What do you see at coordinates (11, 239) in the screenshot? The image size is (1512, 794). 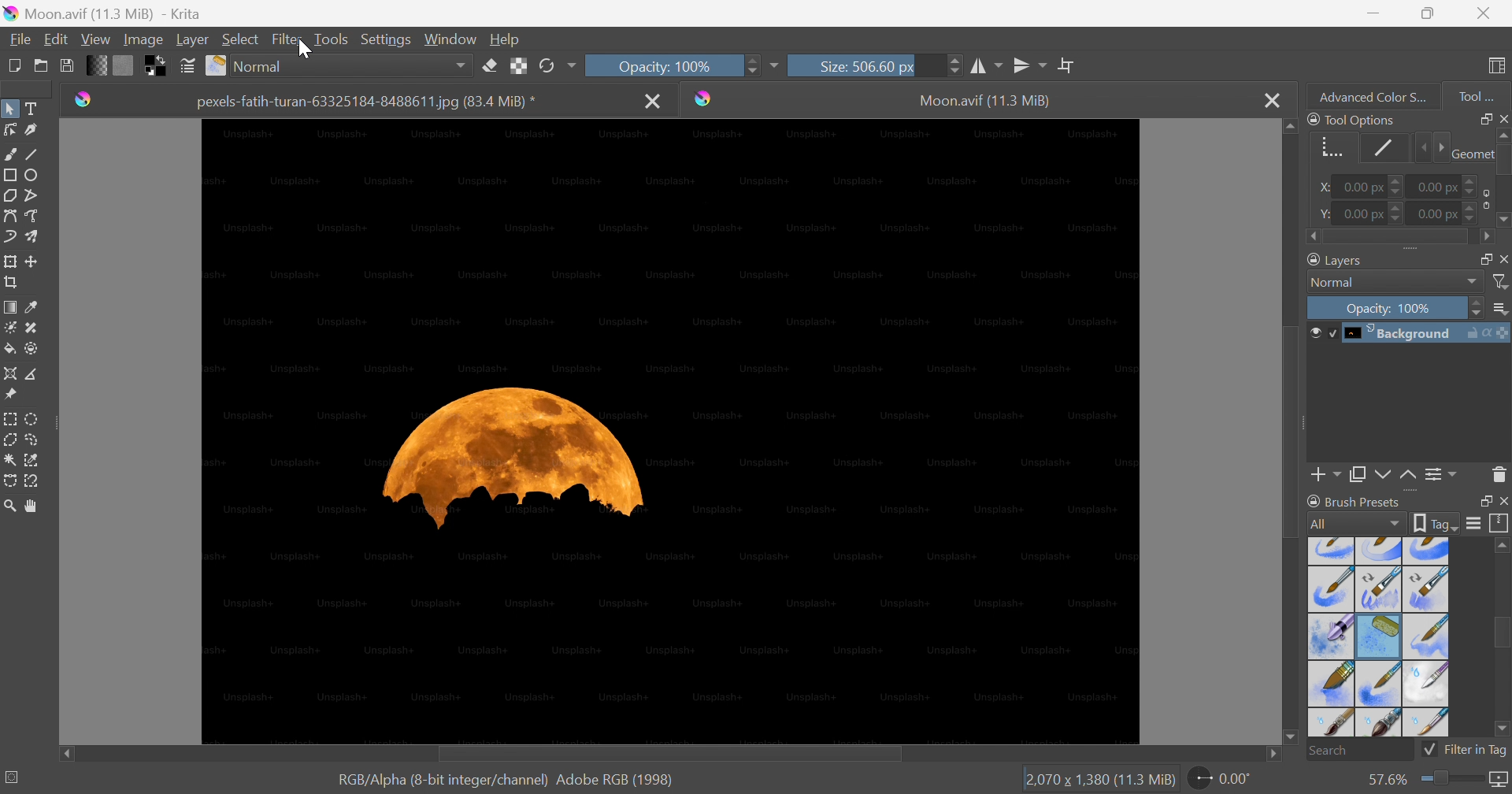 I see `Dynamic brush tool` at bounding box center [11, 239].